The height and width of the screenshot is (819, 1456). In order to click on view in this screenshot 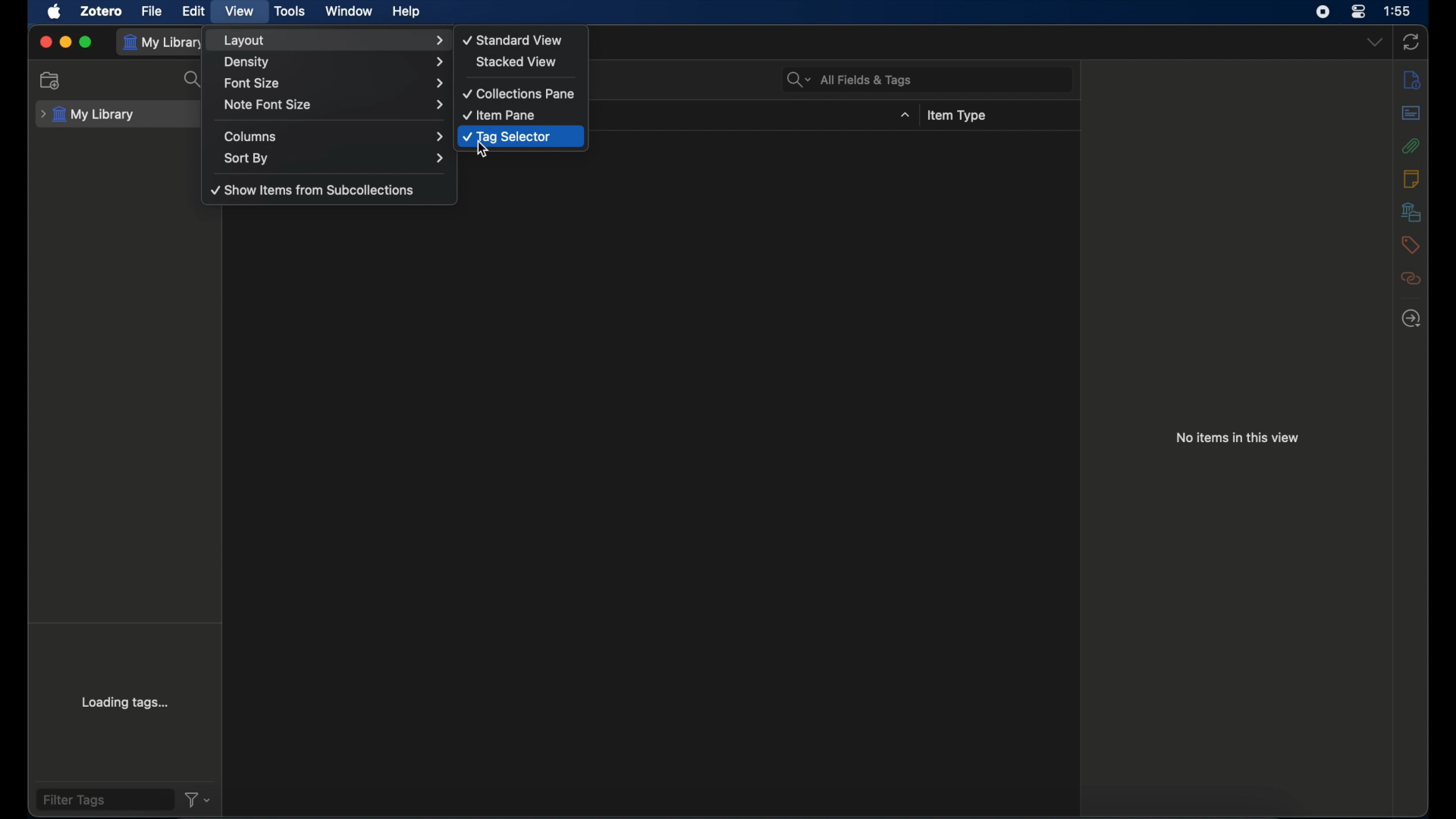, I will do `click(240, 12)`.